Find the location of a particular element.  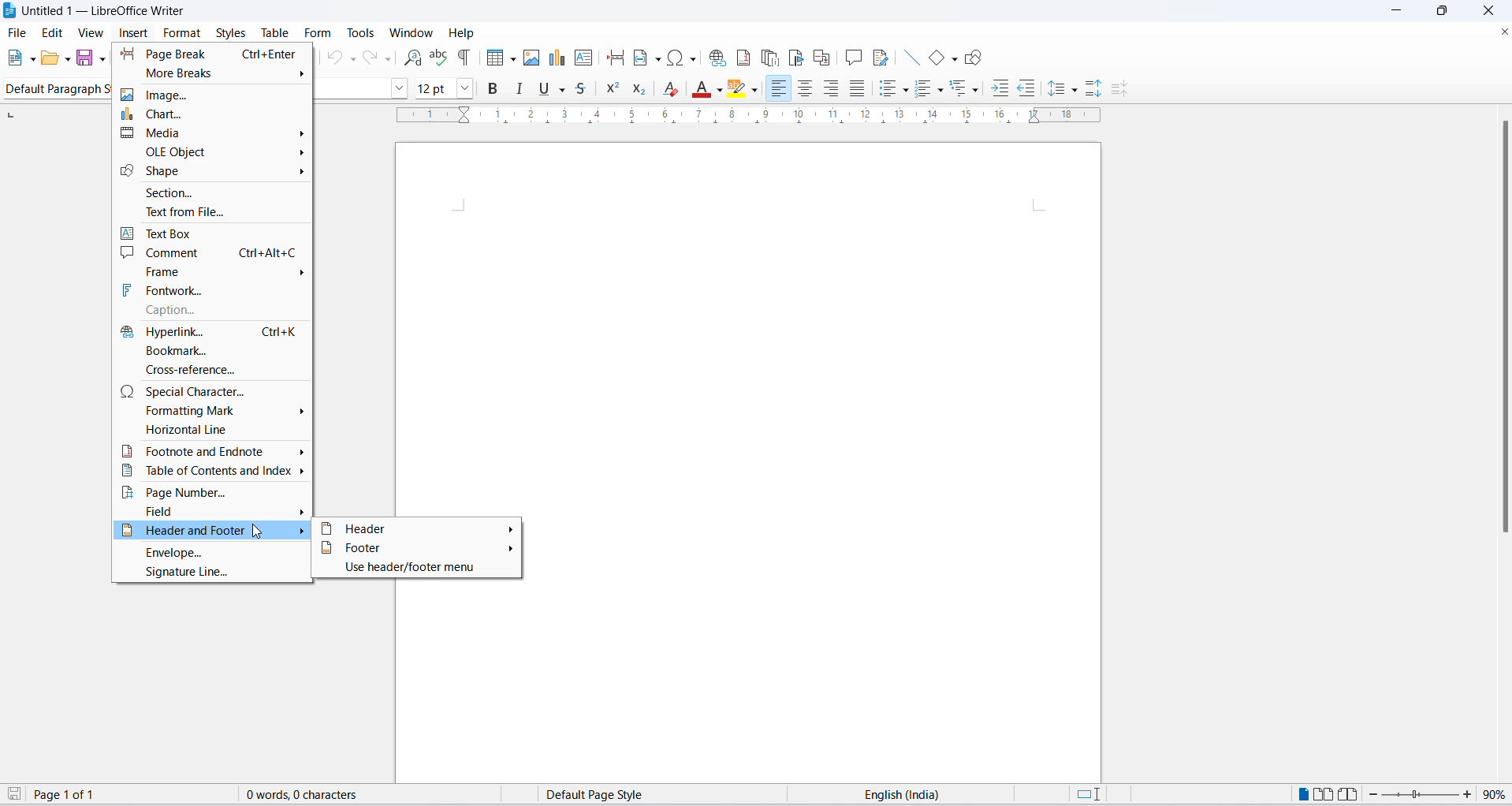

close is located at coordinates (1503, 29).